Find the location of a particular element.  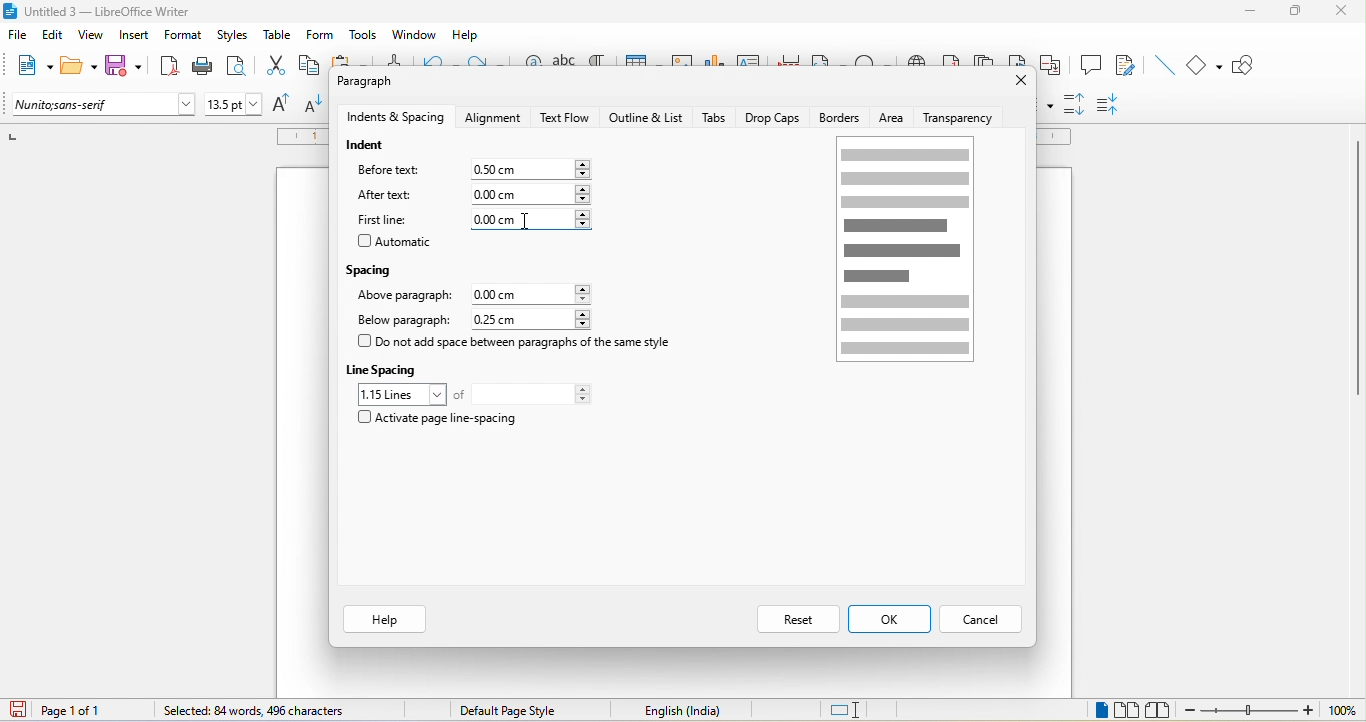

decrease size is located at coordinates (316, 103).